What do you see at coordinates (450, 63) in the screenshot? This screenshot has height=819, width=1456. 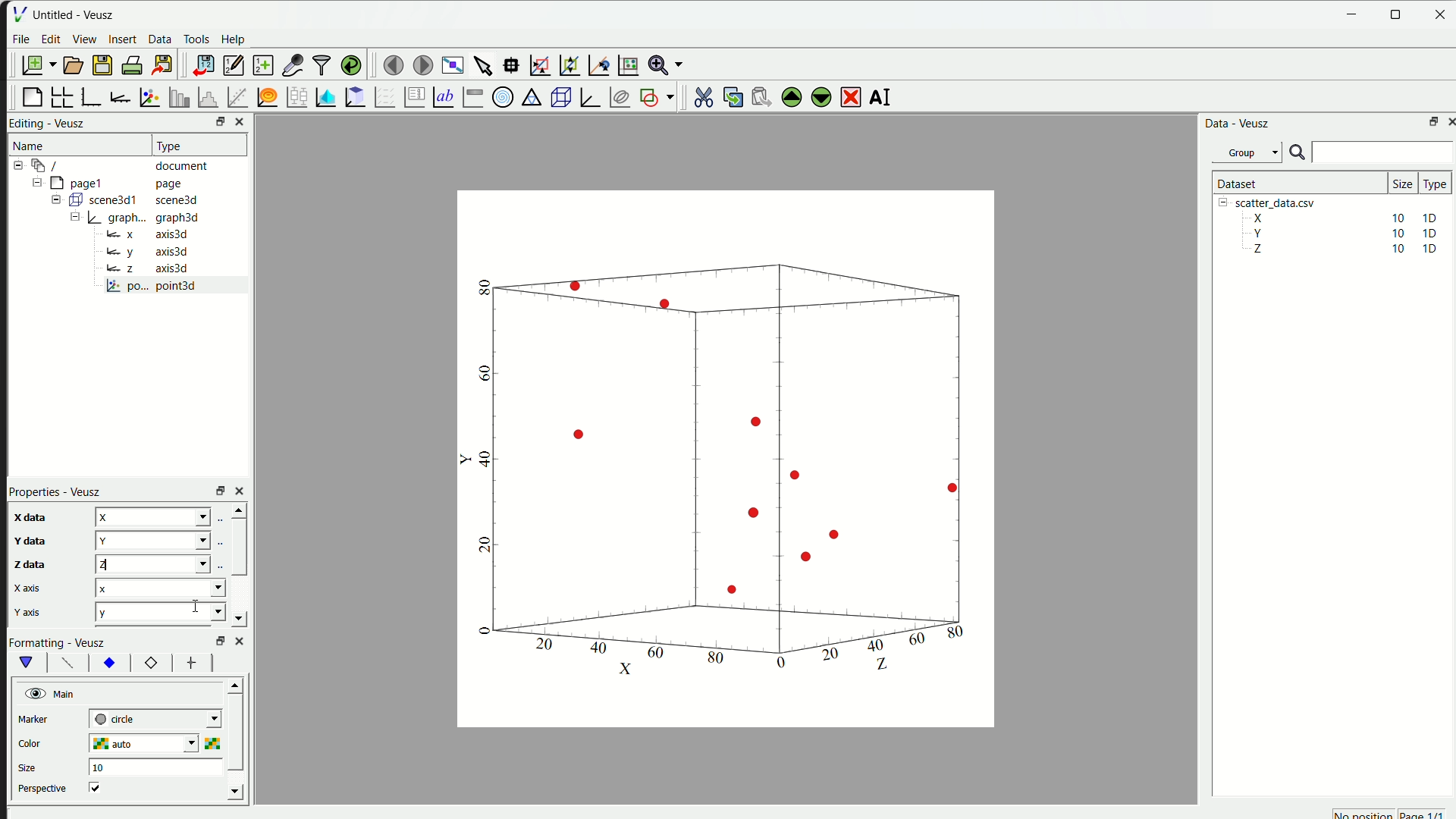 I see `view plot full screen` at bounding box center [450, 63].